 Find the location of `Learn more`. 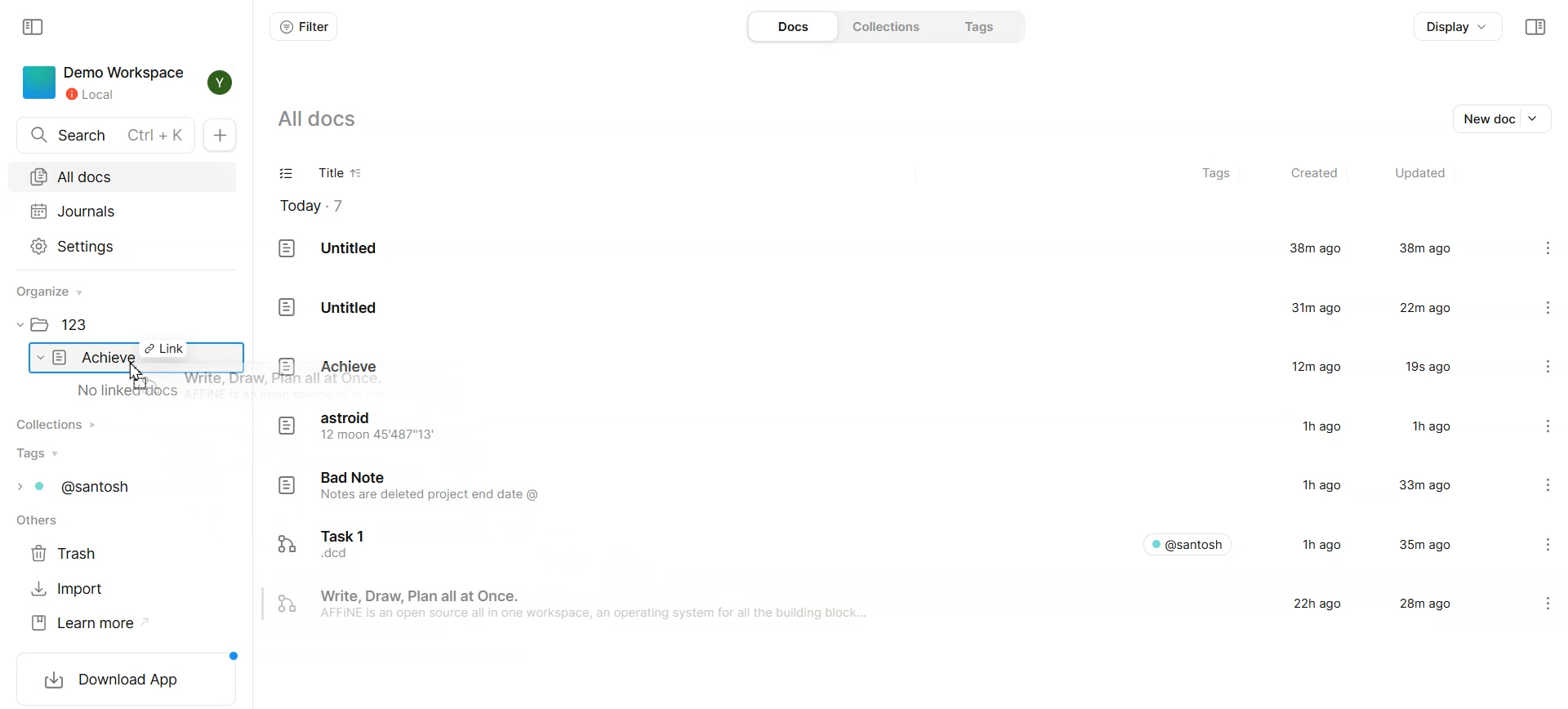

Learn more is located at coordinates (90, 623).